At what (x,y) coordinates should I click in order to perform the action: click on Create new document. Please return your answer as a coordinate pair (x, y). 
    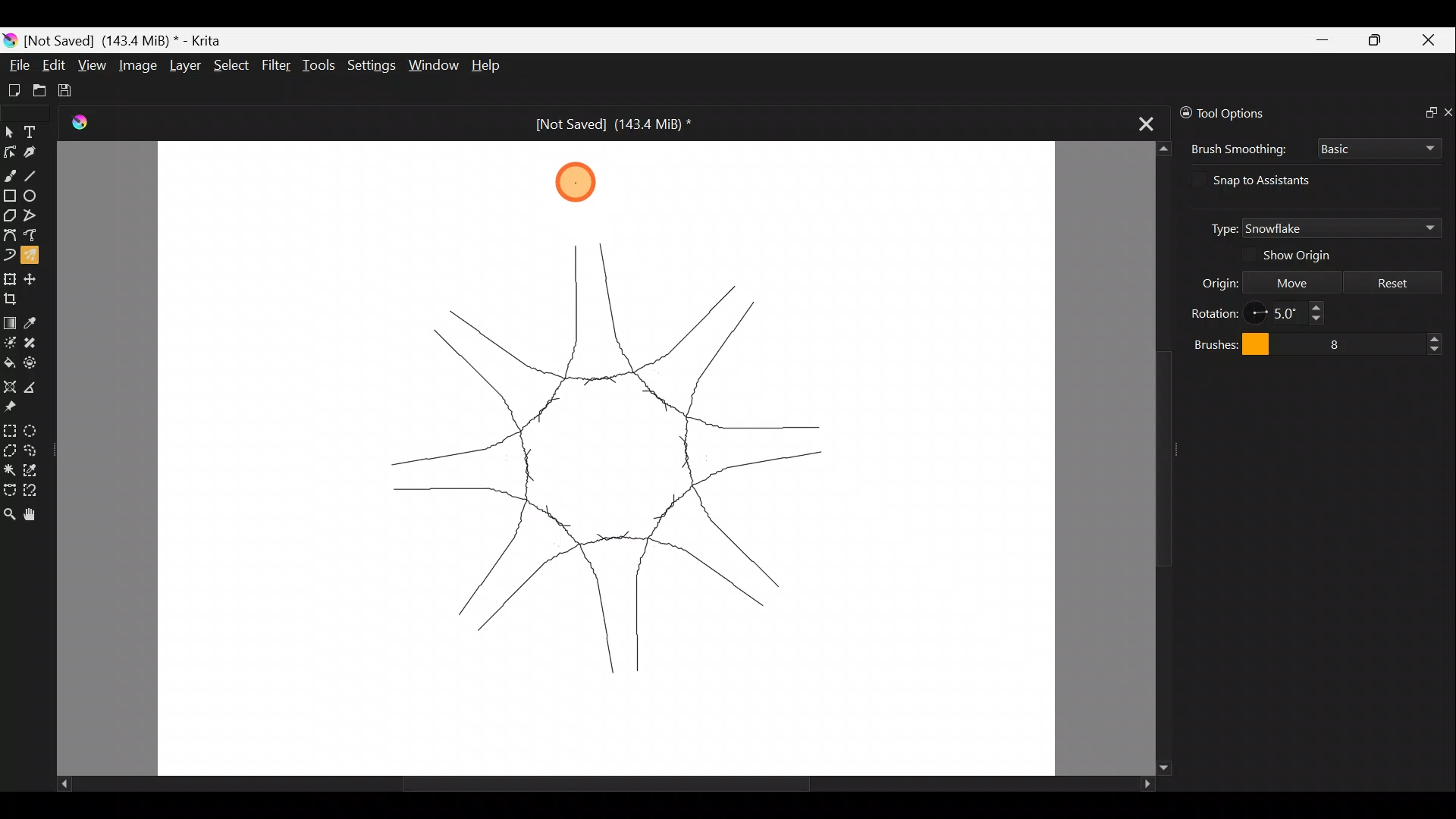
    Looking at the image, I should click on (14, 90).